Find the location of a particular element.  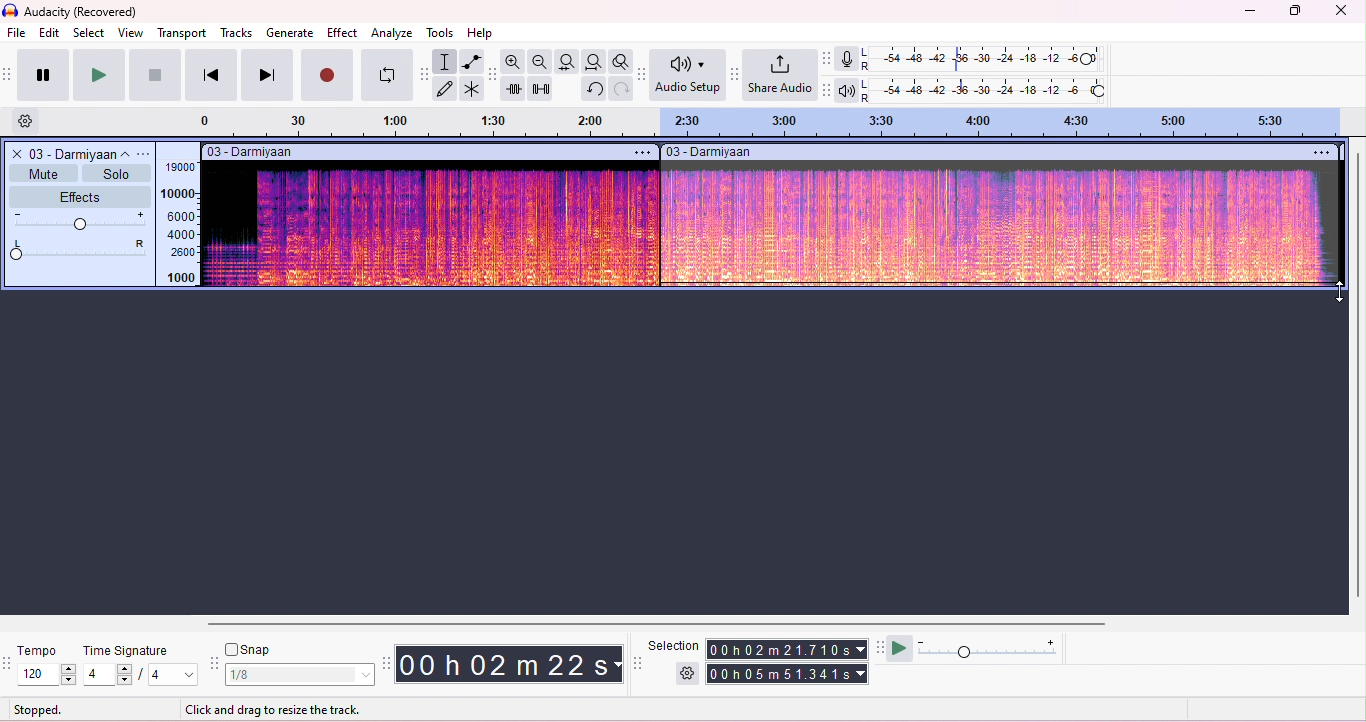

vertical scroll bar is located at coordinates (1357, 373).